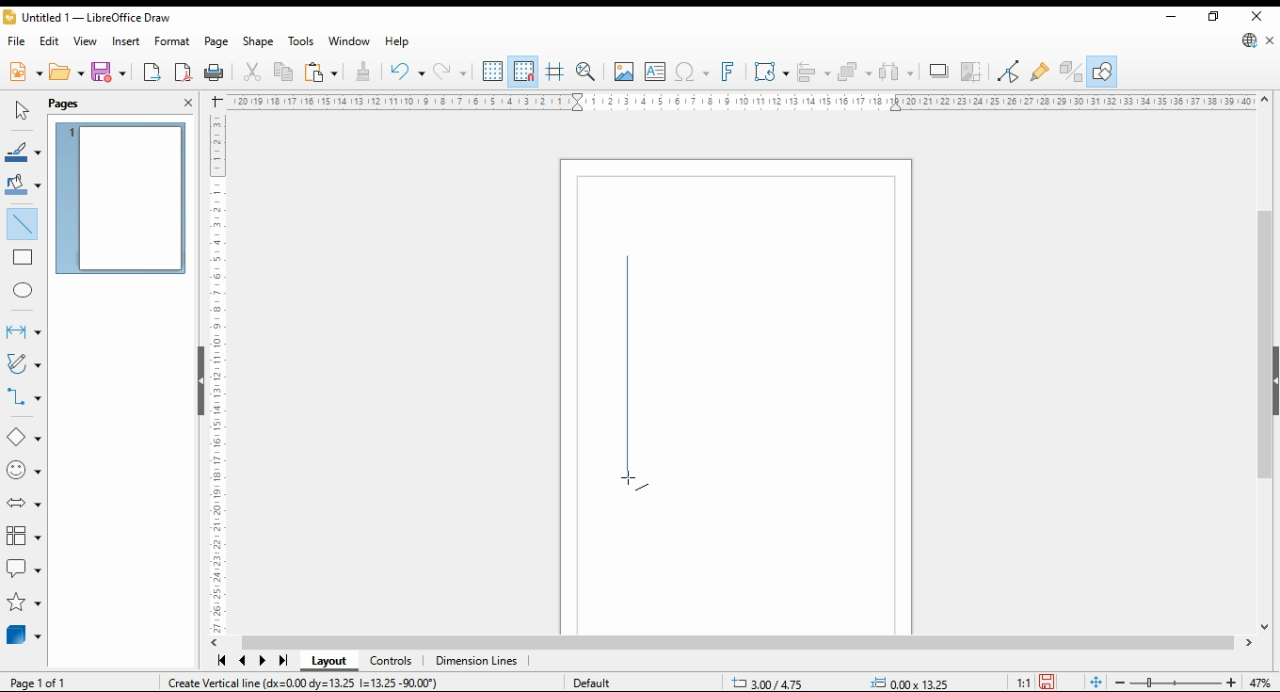 The width and height of the screenshot is (1280, 692). What do you see at coordinates (772, 72) in the screenshot?
I see `transformations` at bounding box center [772, 72].